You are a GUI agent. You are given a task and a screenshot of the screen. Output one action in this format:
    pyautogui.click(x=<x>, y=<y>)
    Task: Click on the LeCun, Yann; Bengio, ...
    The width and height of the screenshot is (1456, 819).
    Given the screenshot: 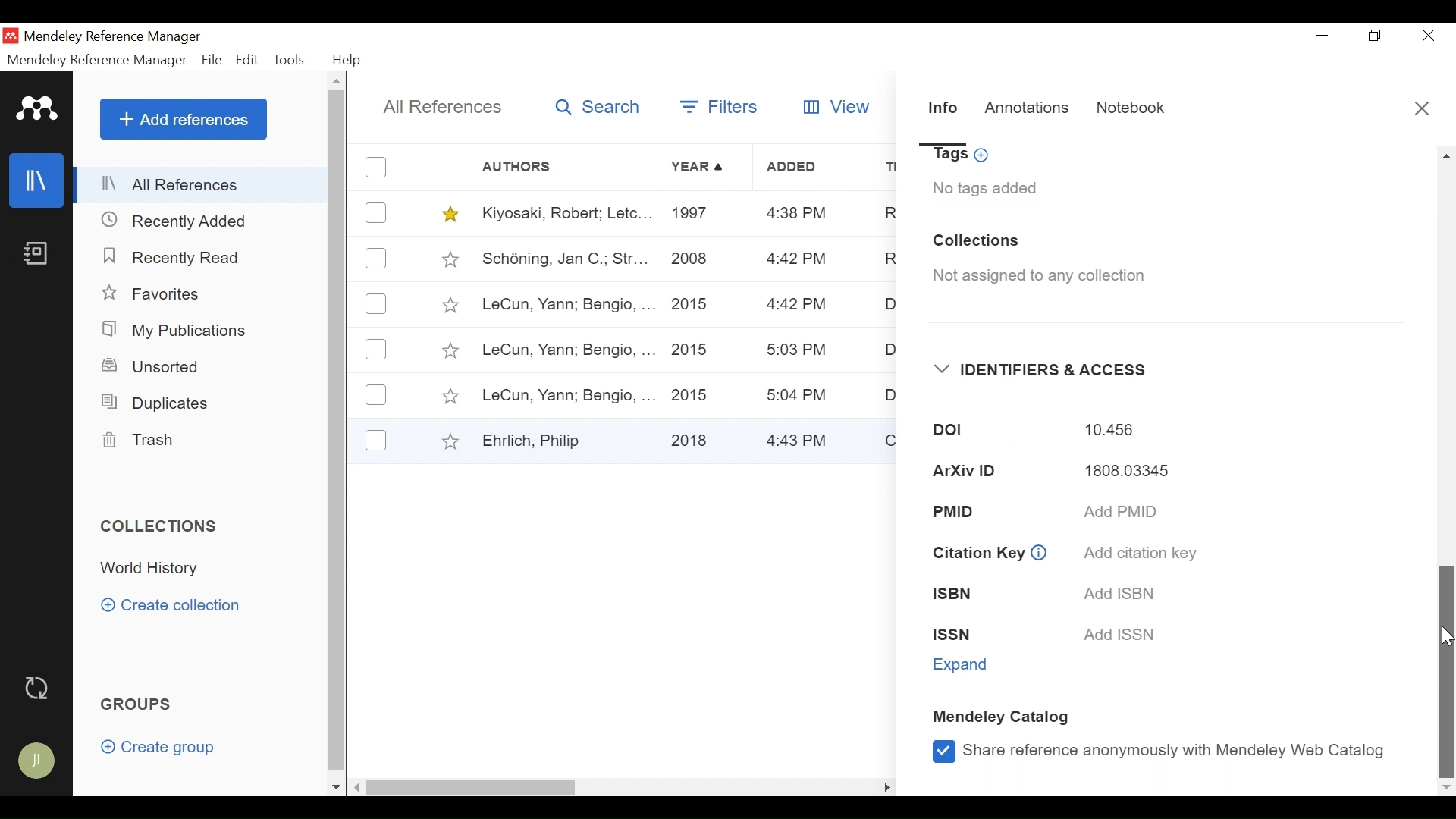 What is the action you would take?
    pyautogui.click(x=567, y=306)
    